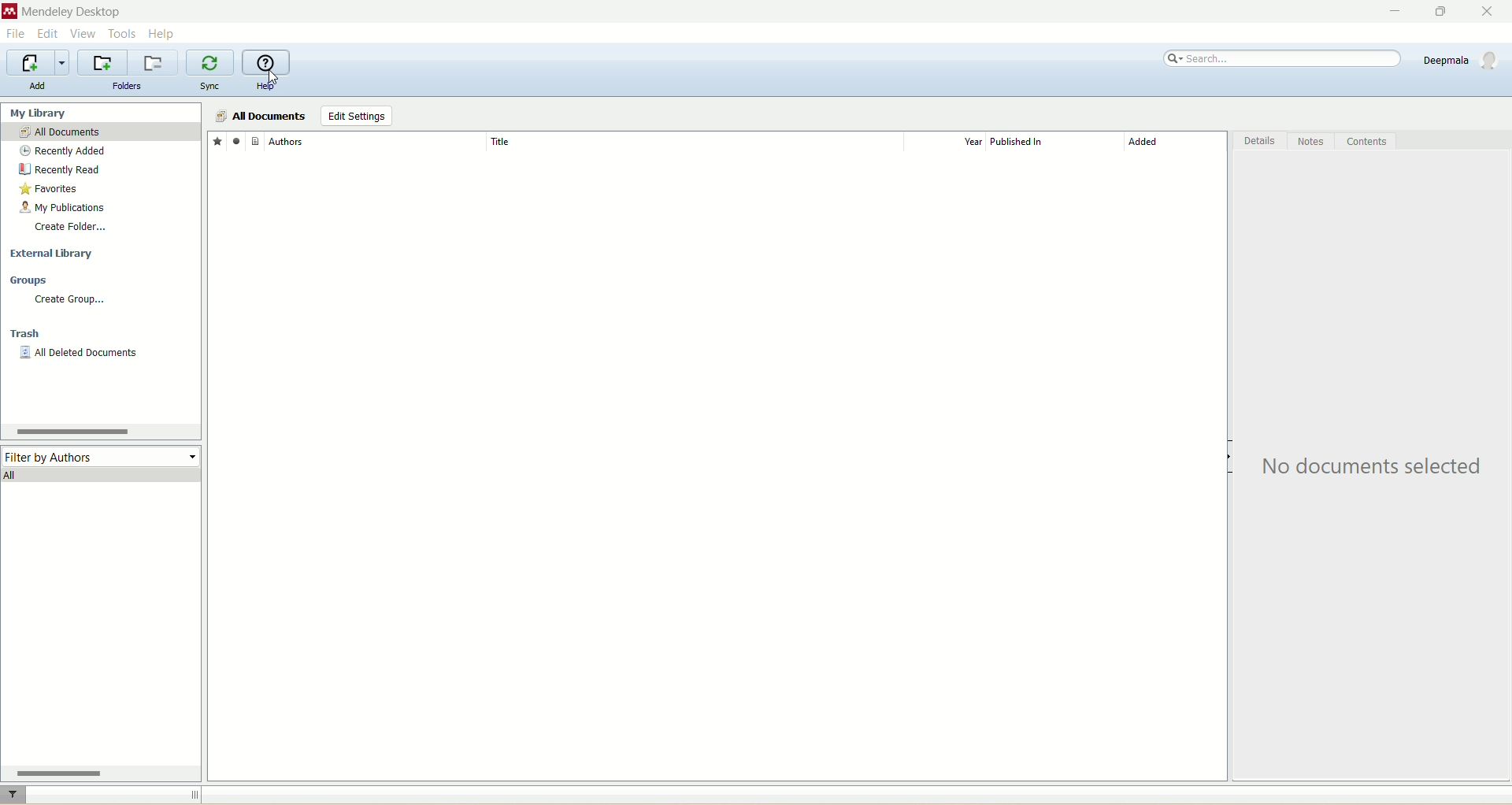  What do you see at coordinates (15, 33) in the screenshot?
I see `file` at bounding box center [15, 33].